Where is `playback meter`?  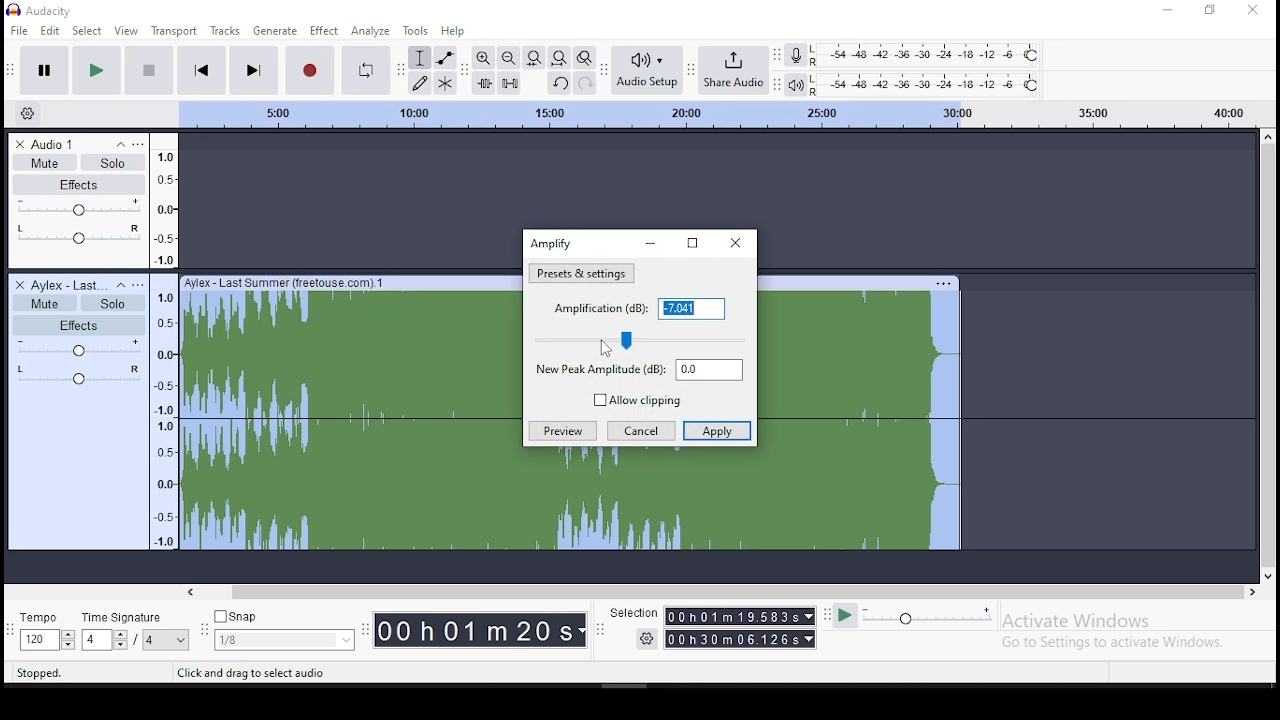
playback meter is located at coordinates (795, 85).